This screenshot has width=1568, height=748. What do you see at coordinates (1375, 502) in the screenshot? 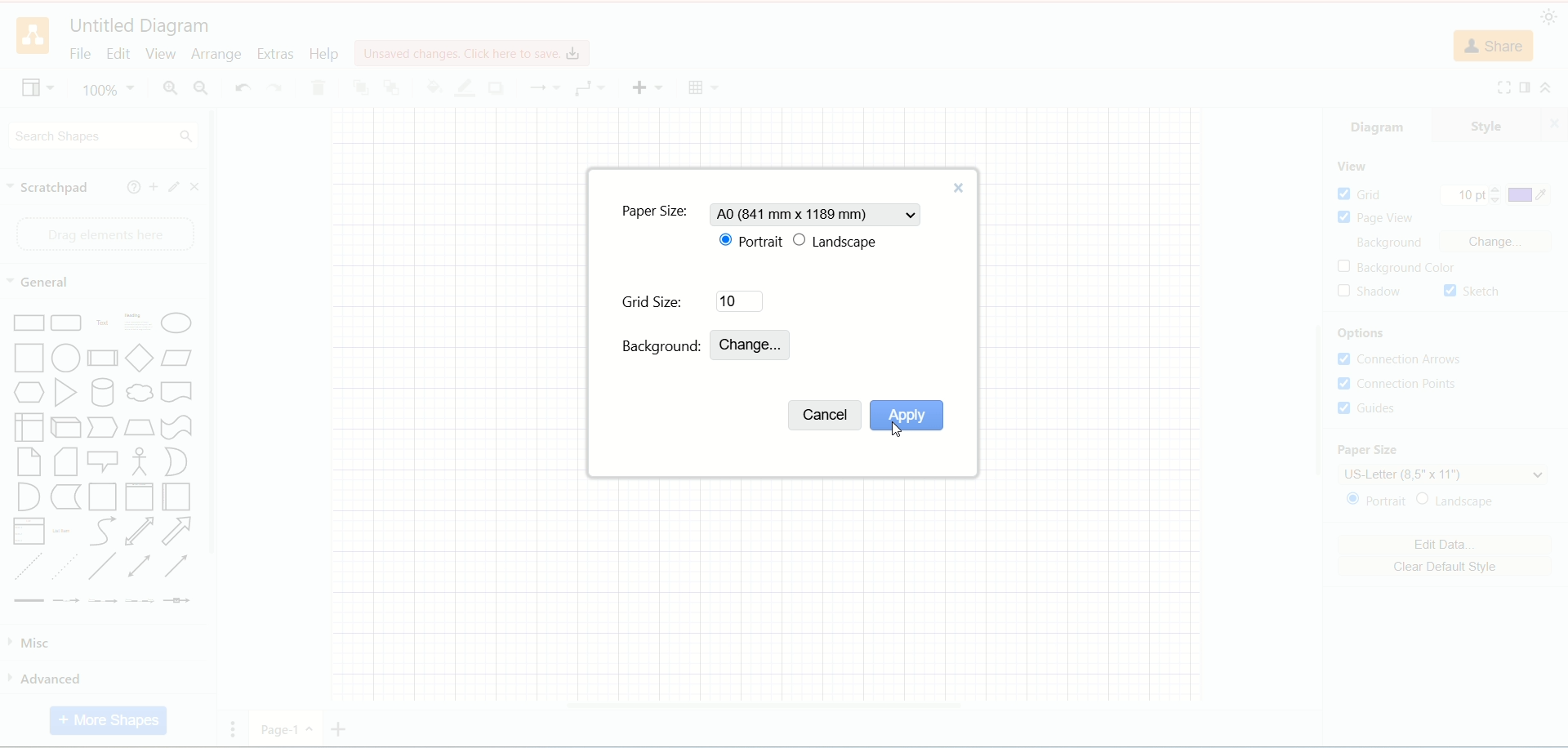
I see `portrait` at bounding box center [1375, 502].